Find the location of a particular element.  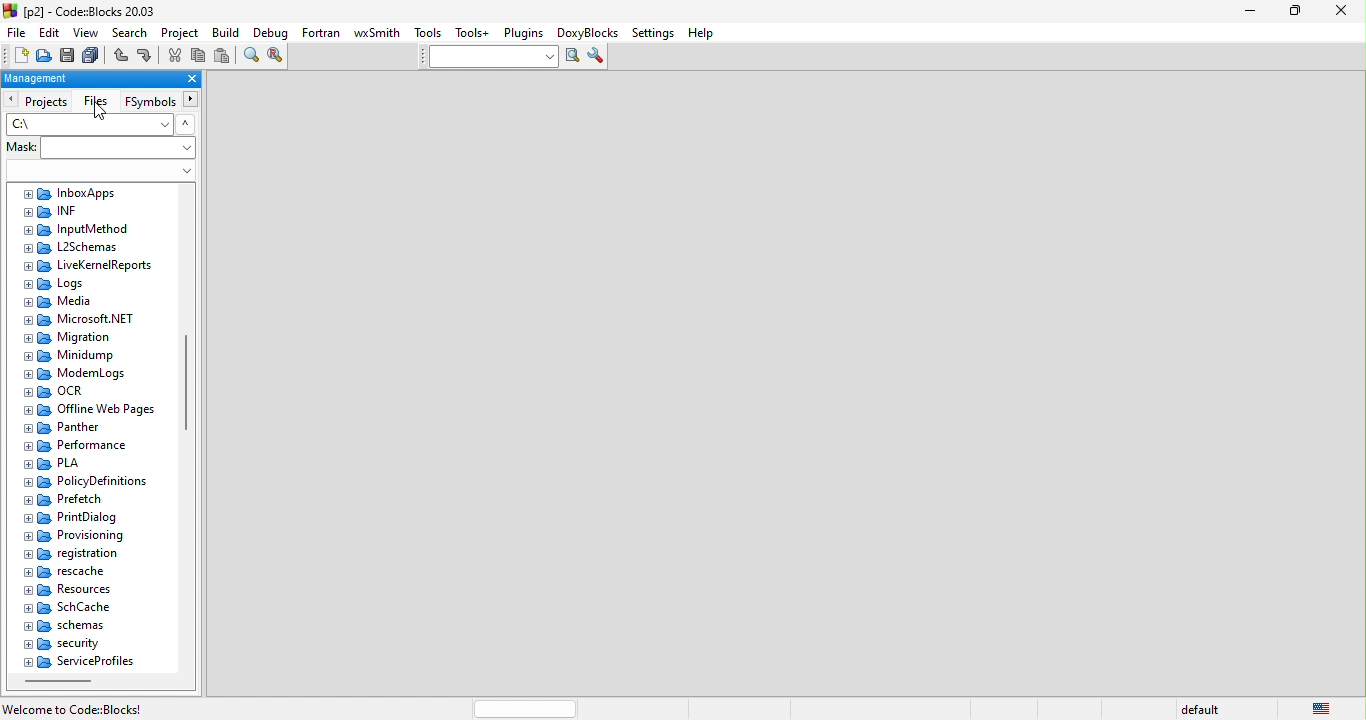

save everything is located at coordinates (94, 56).